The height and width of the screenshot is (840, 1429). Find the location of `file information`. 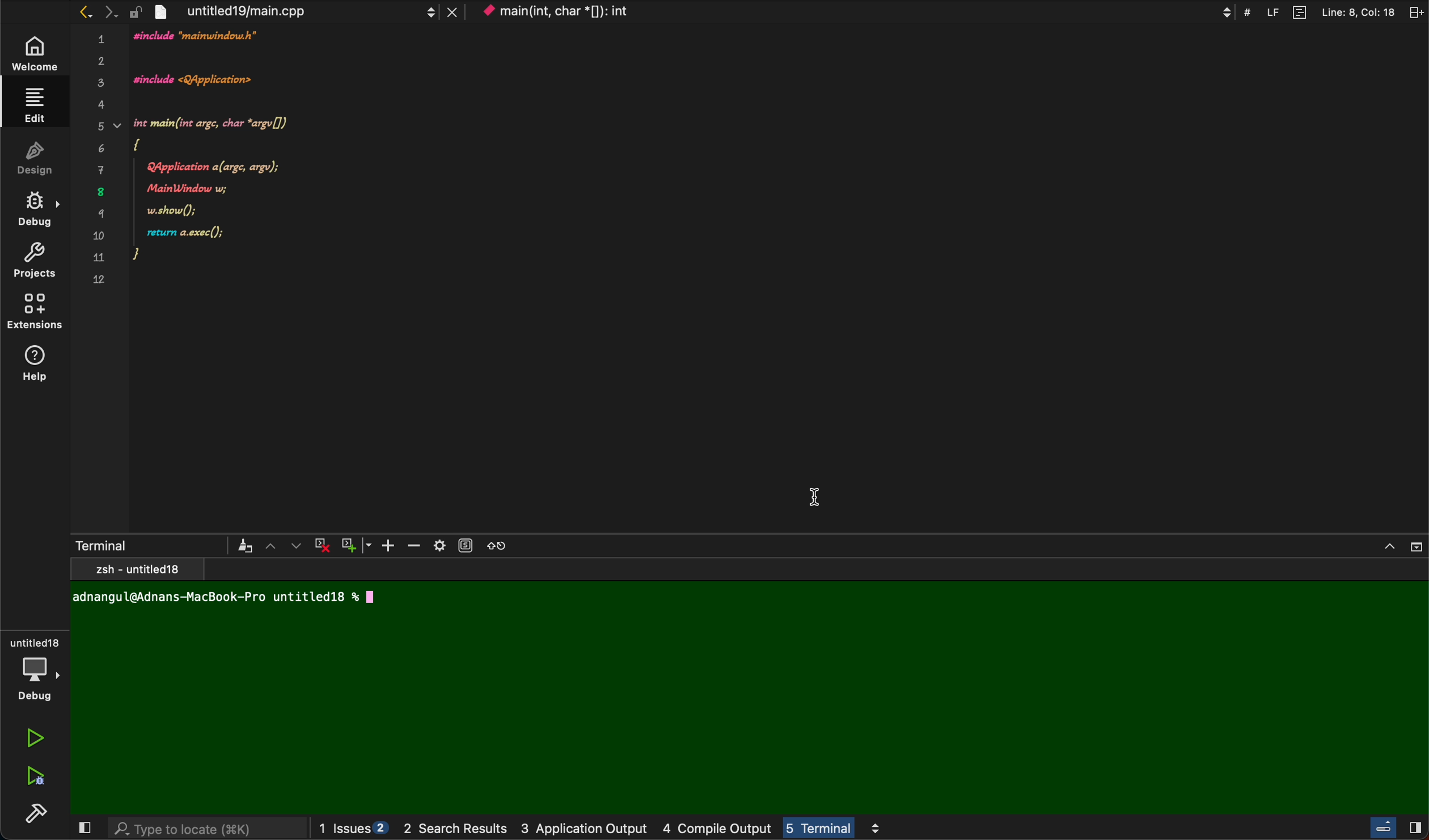

file information is located at coordinates (1317, 12).